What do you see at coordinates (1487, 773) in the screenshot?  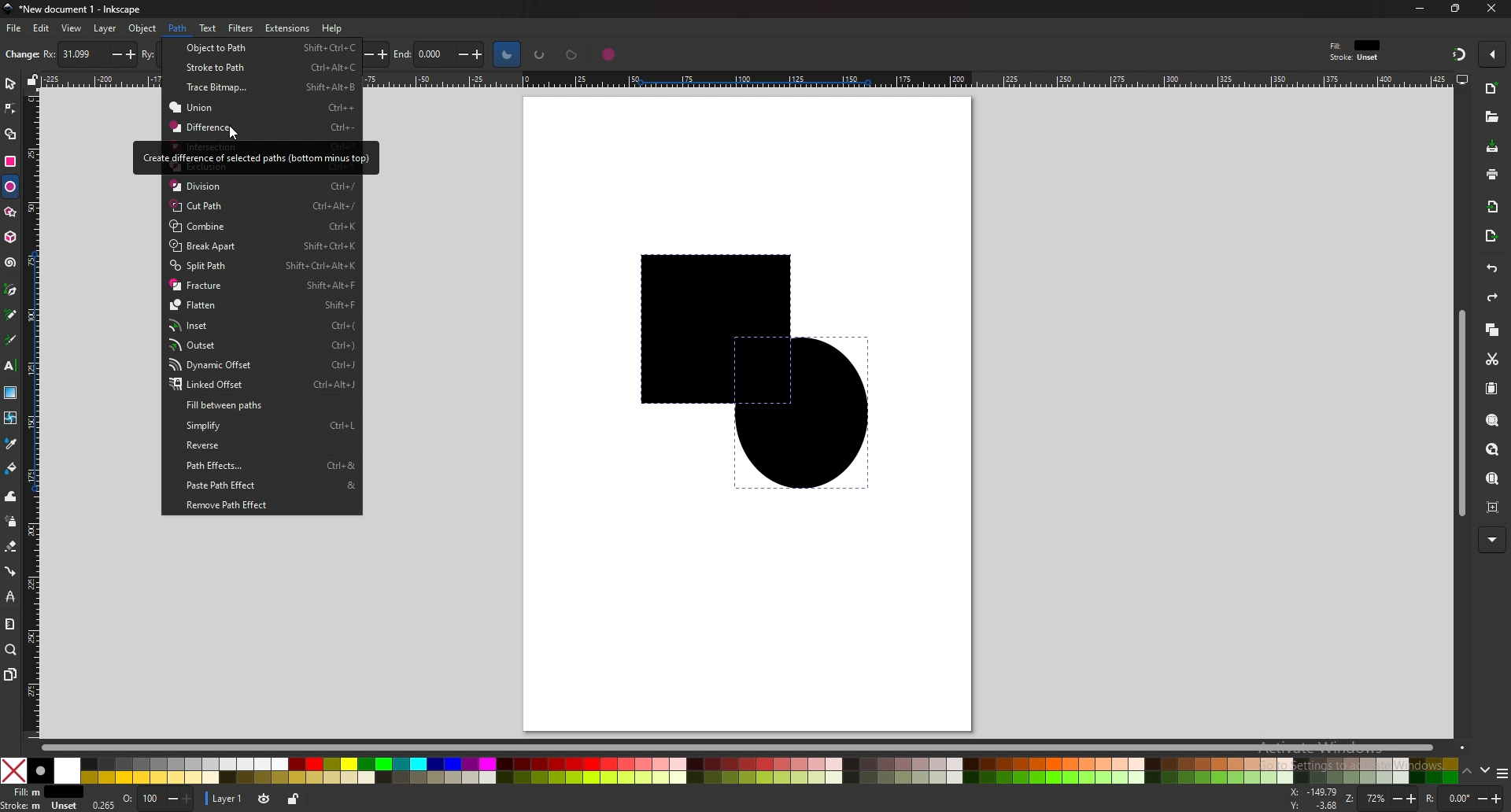 I see `down` at bounding box center [1487, 773].